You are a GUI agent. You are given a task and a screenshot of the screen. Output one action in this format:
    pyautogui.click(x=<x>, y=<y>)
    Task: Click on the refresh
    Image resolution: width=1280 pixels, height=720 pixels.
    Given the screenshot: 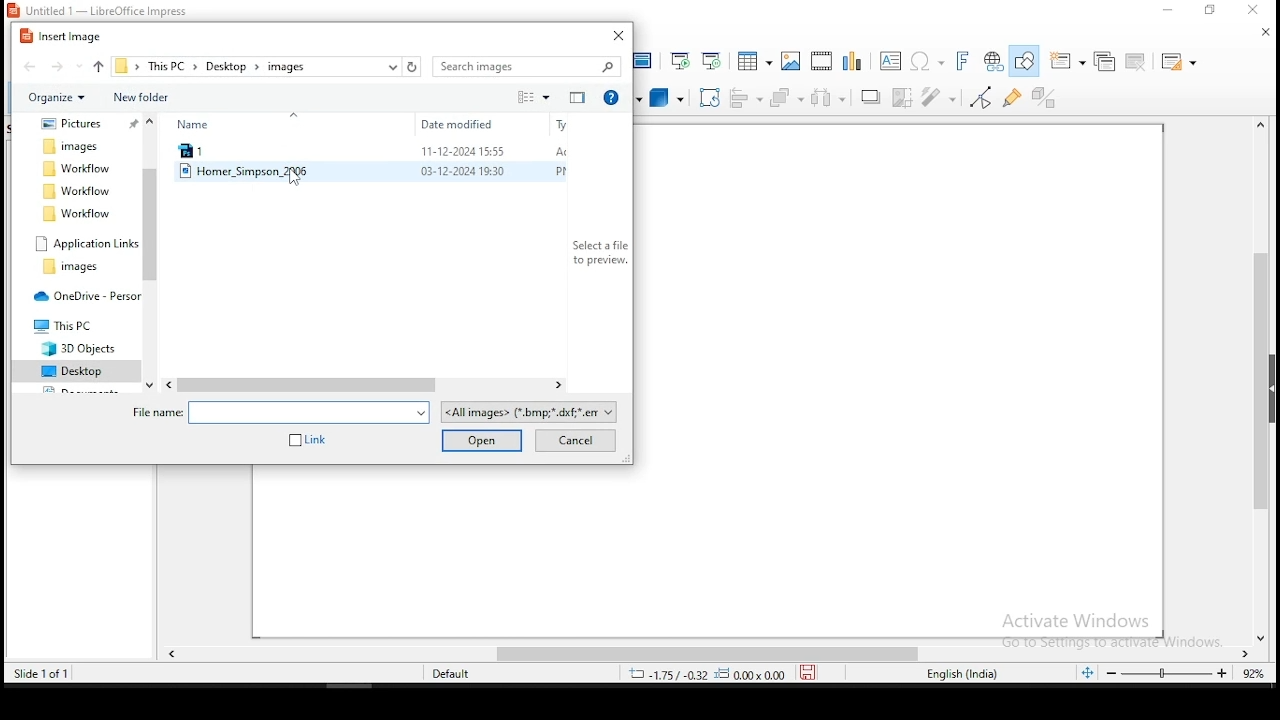 What is the action you would take?
    pyautogui.click(x=416, y=67)
    